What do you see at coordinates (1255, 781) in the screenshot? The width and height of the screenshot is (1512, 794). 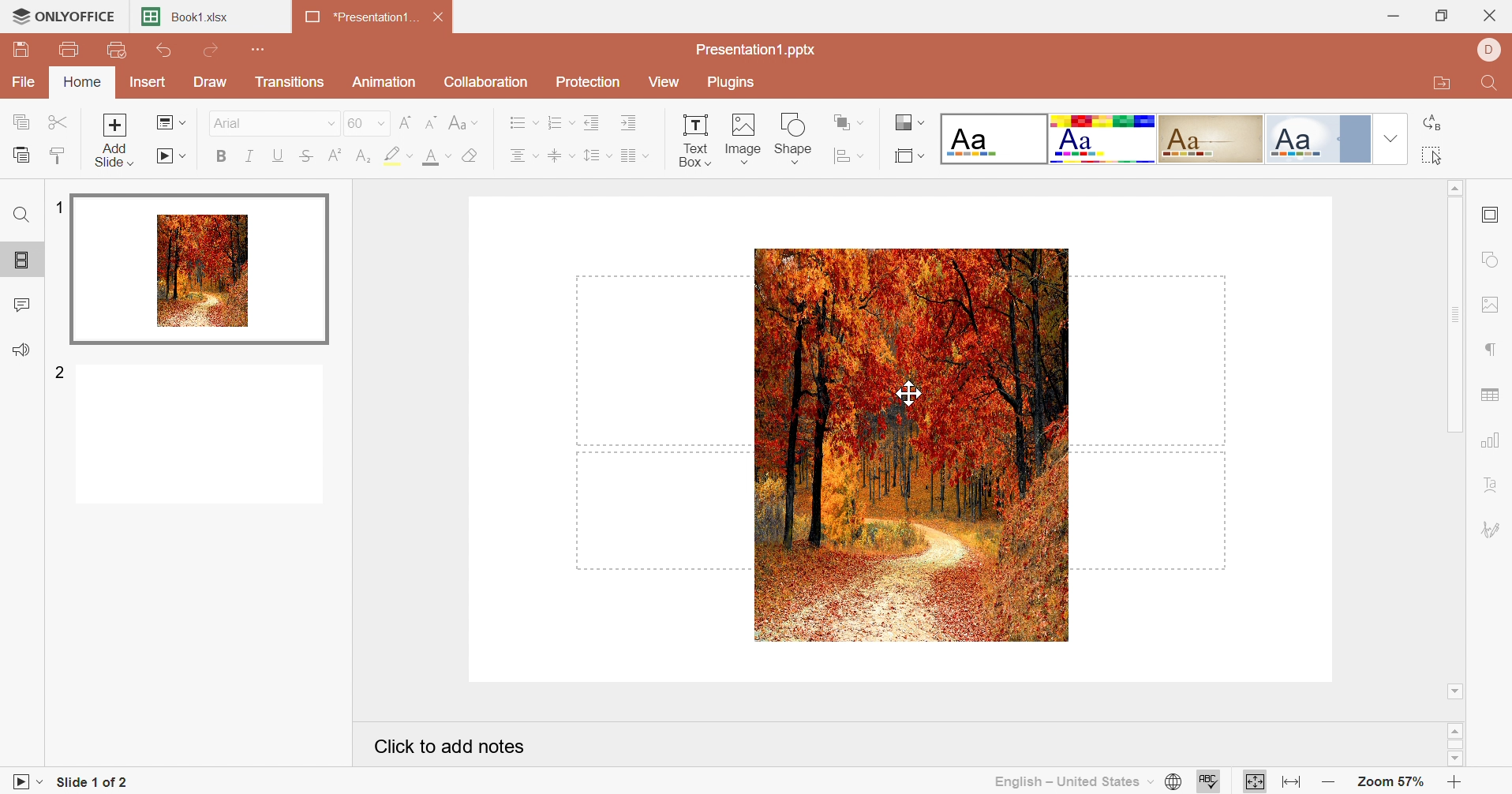 I see `Fit to slide` at bounding box center [1255, 781].